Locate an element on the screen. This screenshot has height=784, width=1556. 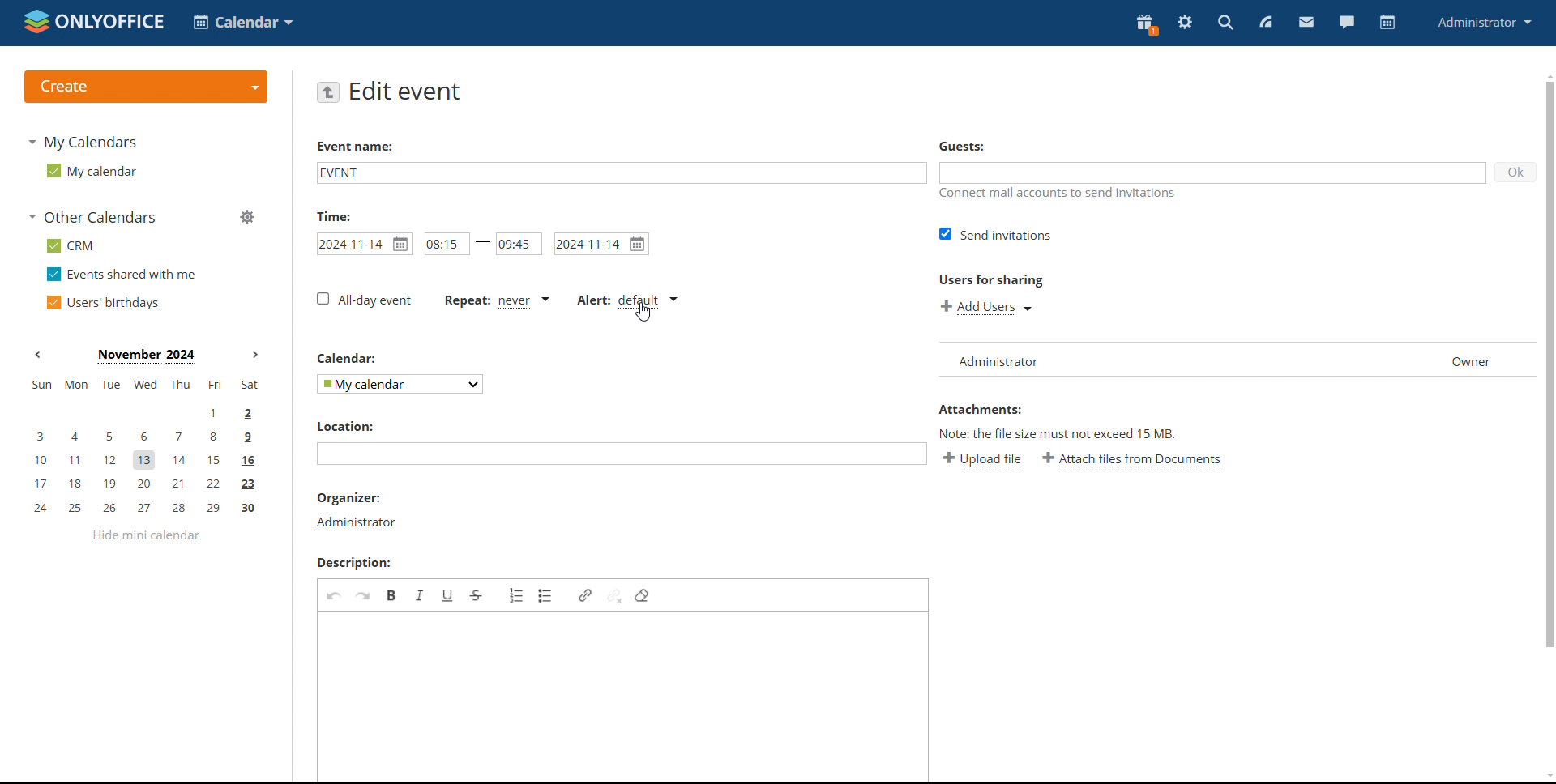
insert/remove bulleted list is located at coordinates (546, 595).